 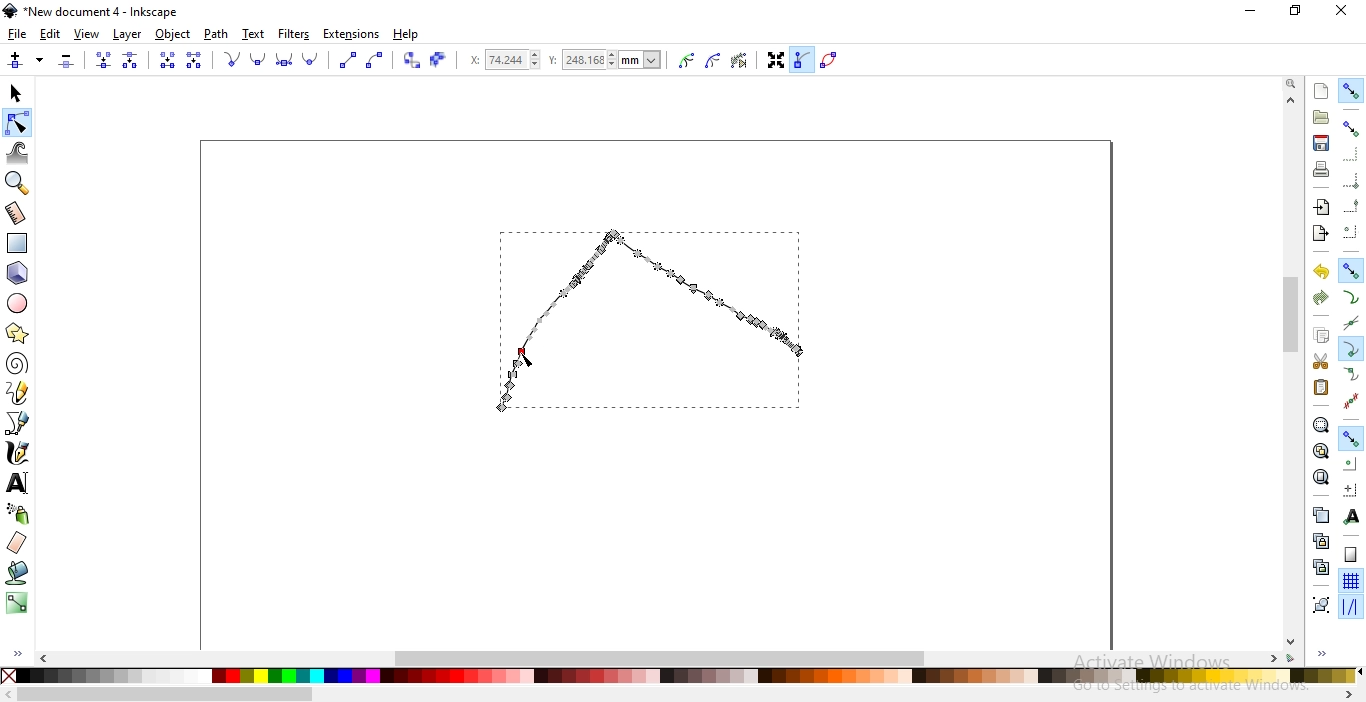 What do you see at coordinates (1351, 127) in the screenshot?
I see `snap bounding boxes` at bounding box center [1351, 127].